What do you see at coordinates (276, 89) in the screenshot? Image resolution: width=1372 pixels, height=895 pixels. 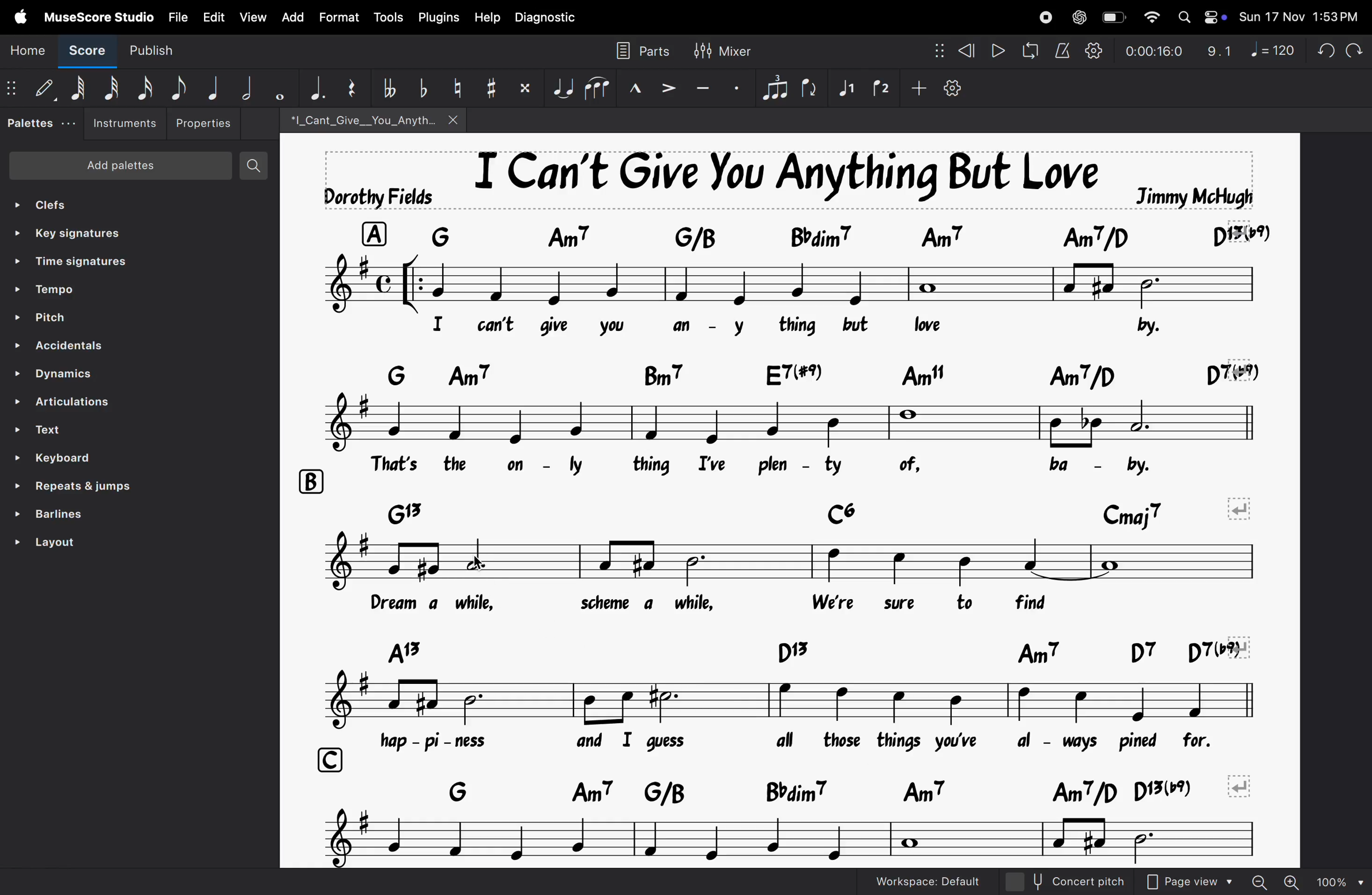 I see `whole note` at bounding box center [276, 89].